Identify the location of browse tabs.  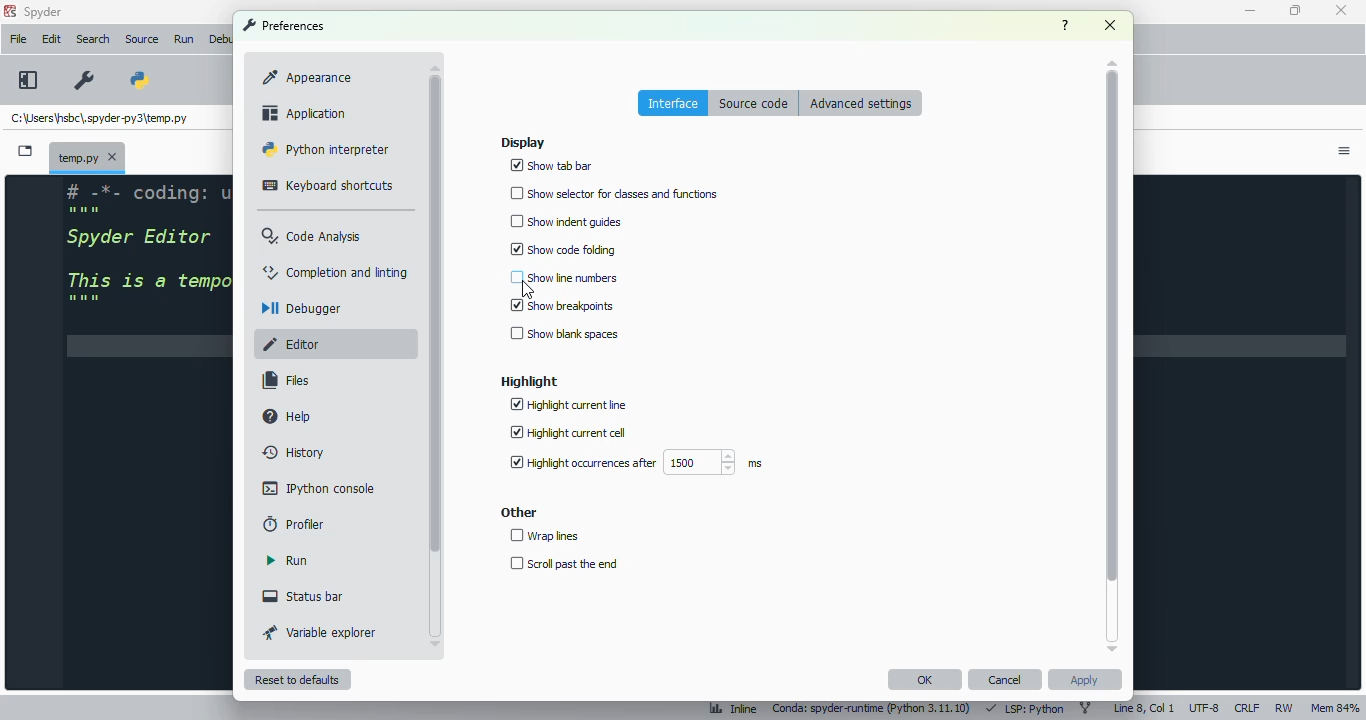
(26, 151).